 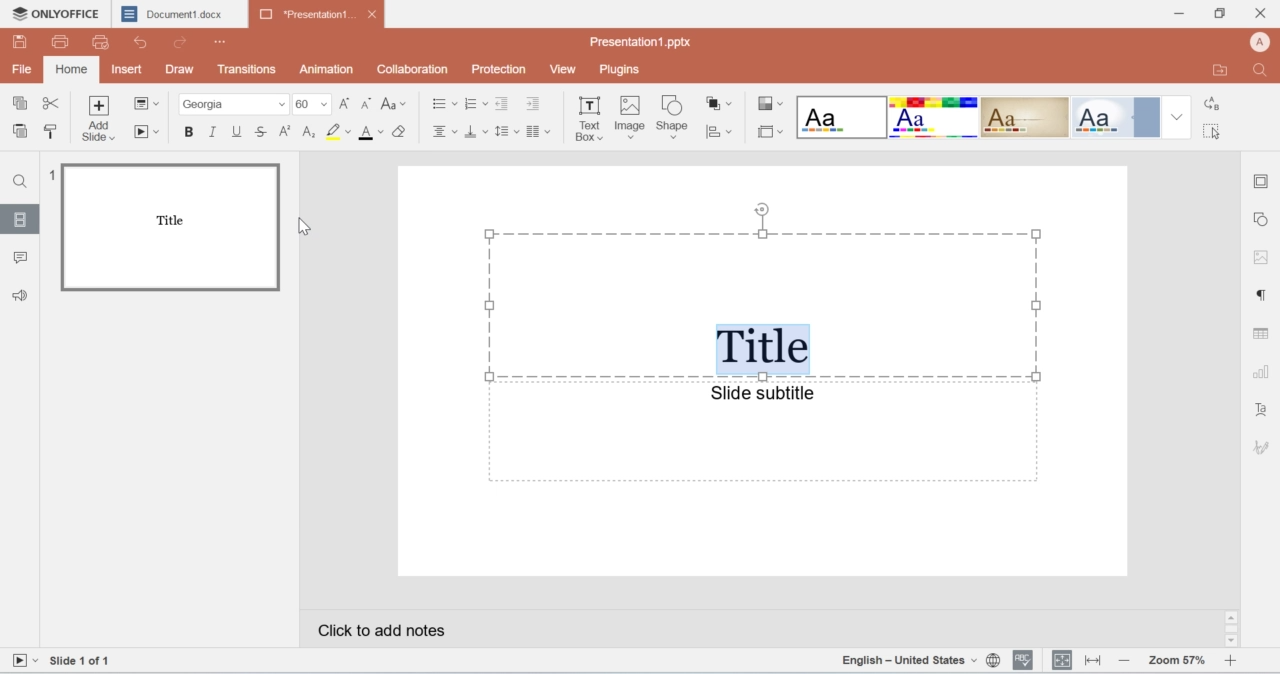 What do you see at coordinates (347, 106) in the screenshot?
I see `increase font size` at bounding box center [347, 106].